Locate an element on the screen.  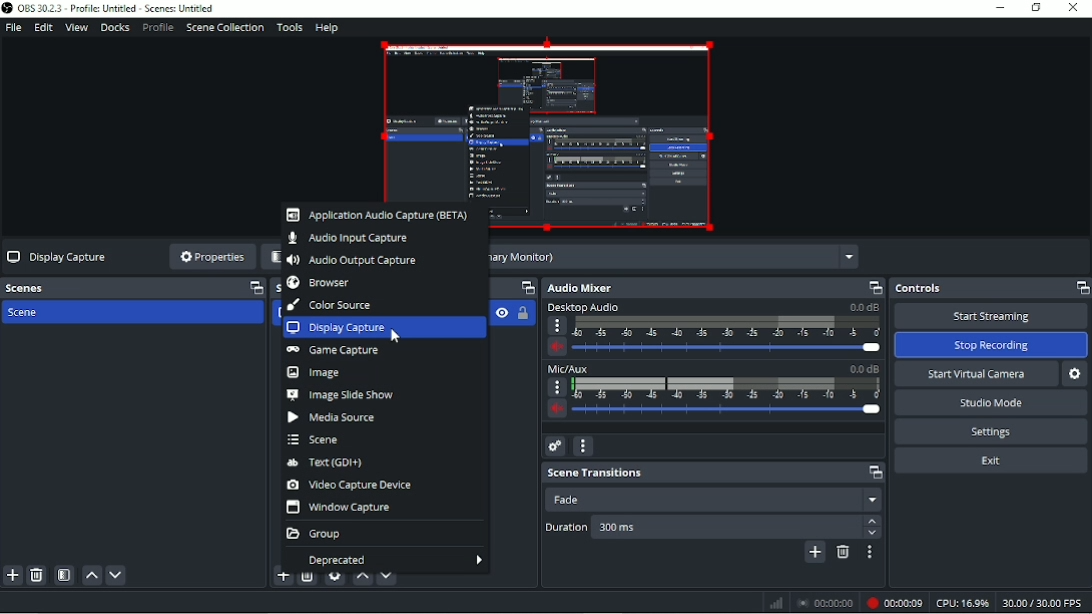
Open source properties is located at coordinates (335, 580).